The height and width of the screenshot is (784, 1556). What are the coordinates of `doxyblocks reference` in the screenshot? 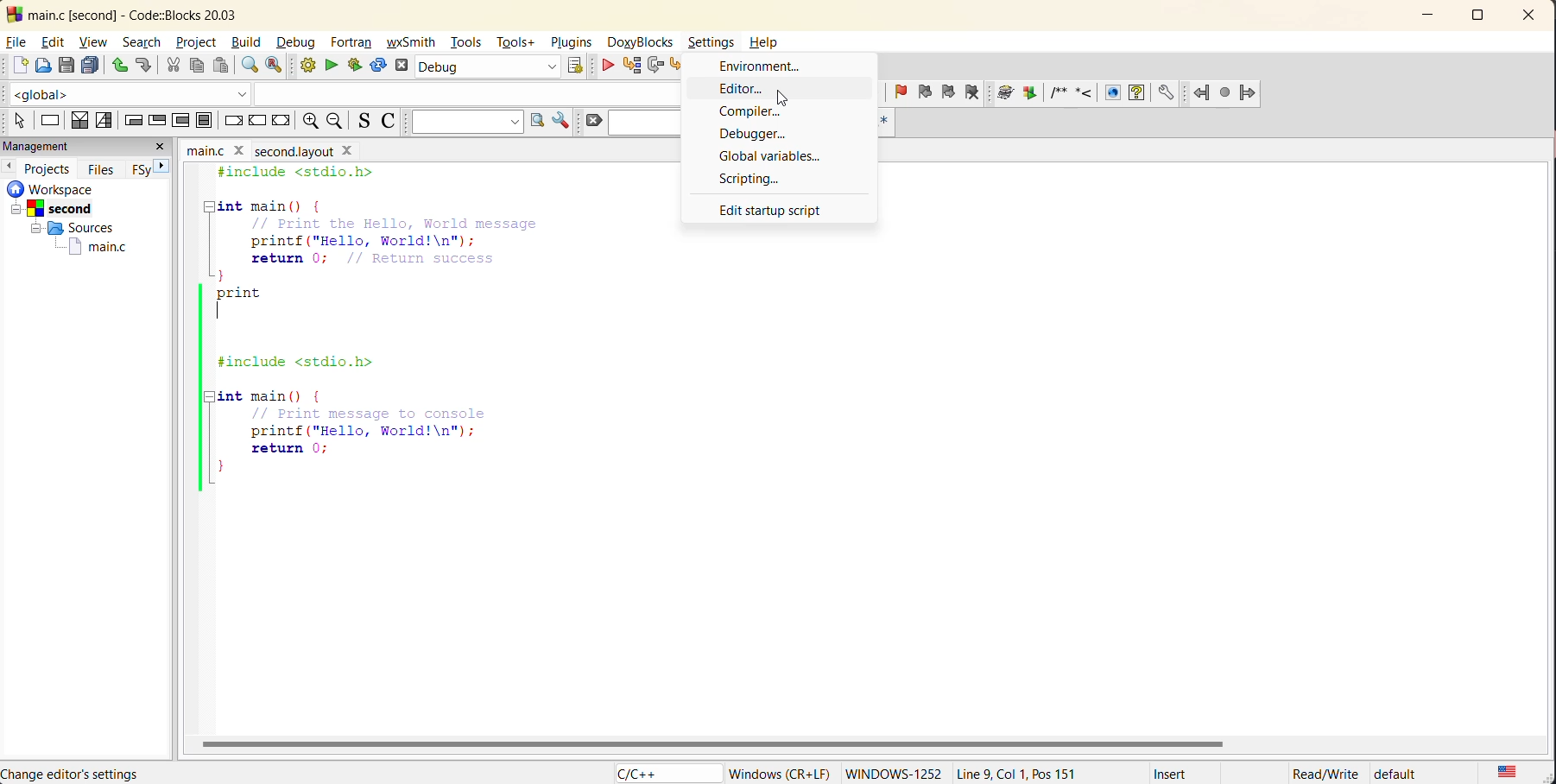 It's located at (1090, 95).